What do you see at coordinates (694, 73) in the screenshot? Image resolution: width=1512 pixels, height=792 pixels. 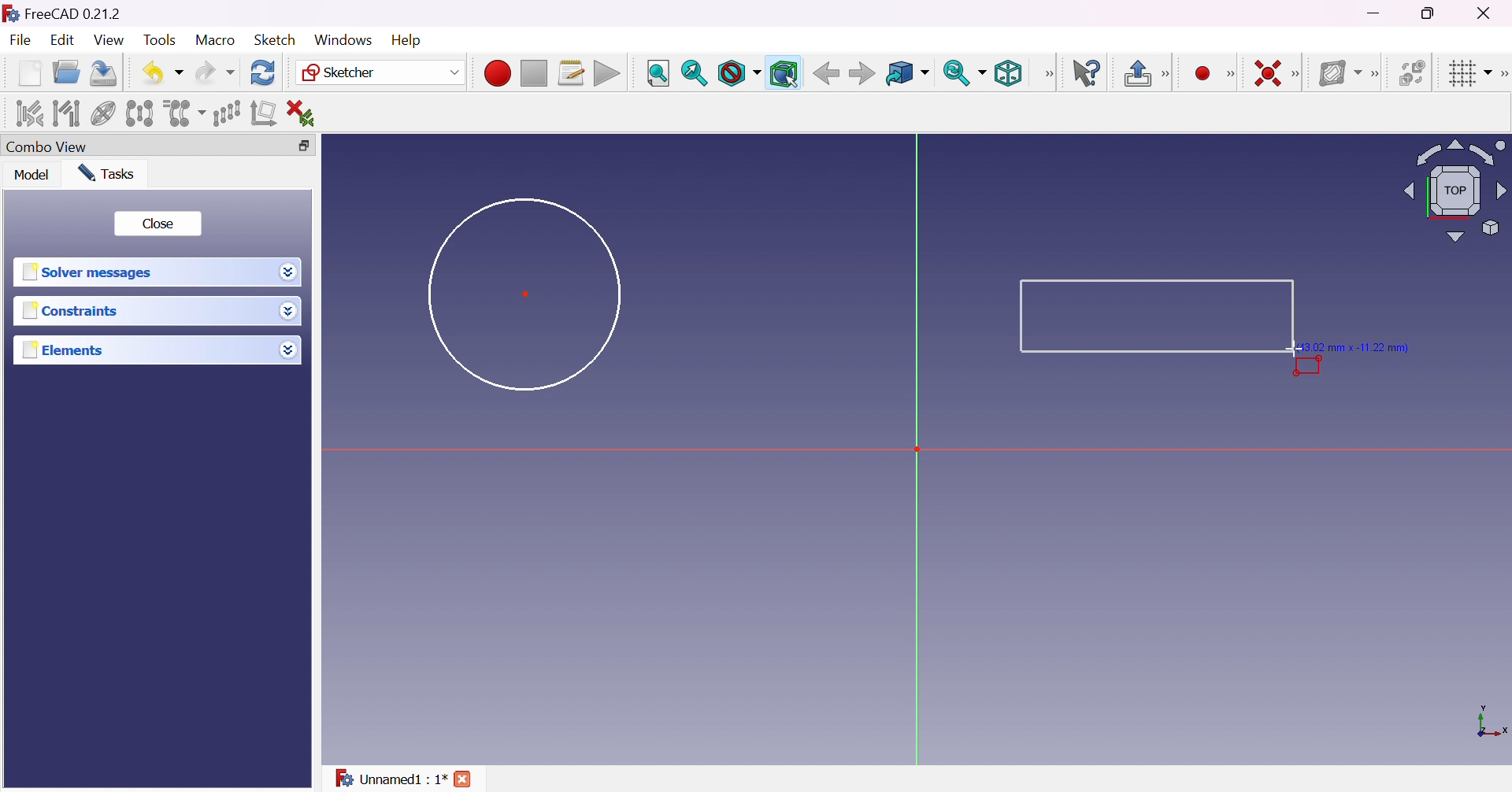 I see `Fit selection` at bounding box center [694, 73].